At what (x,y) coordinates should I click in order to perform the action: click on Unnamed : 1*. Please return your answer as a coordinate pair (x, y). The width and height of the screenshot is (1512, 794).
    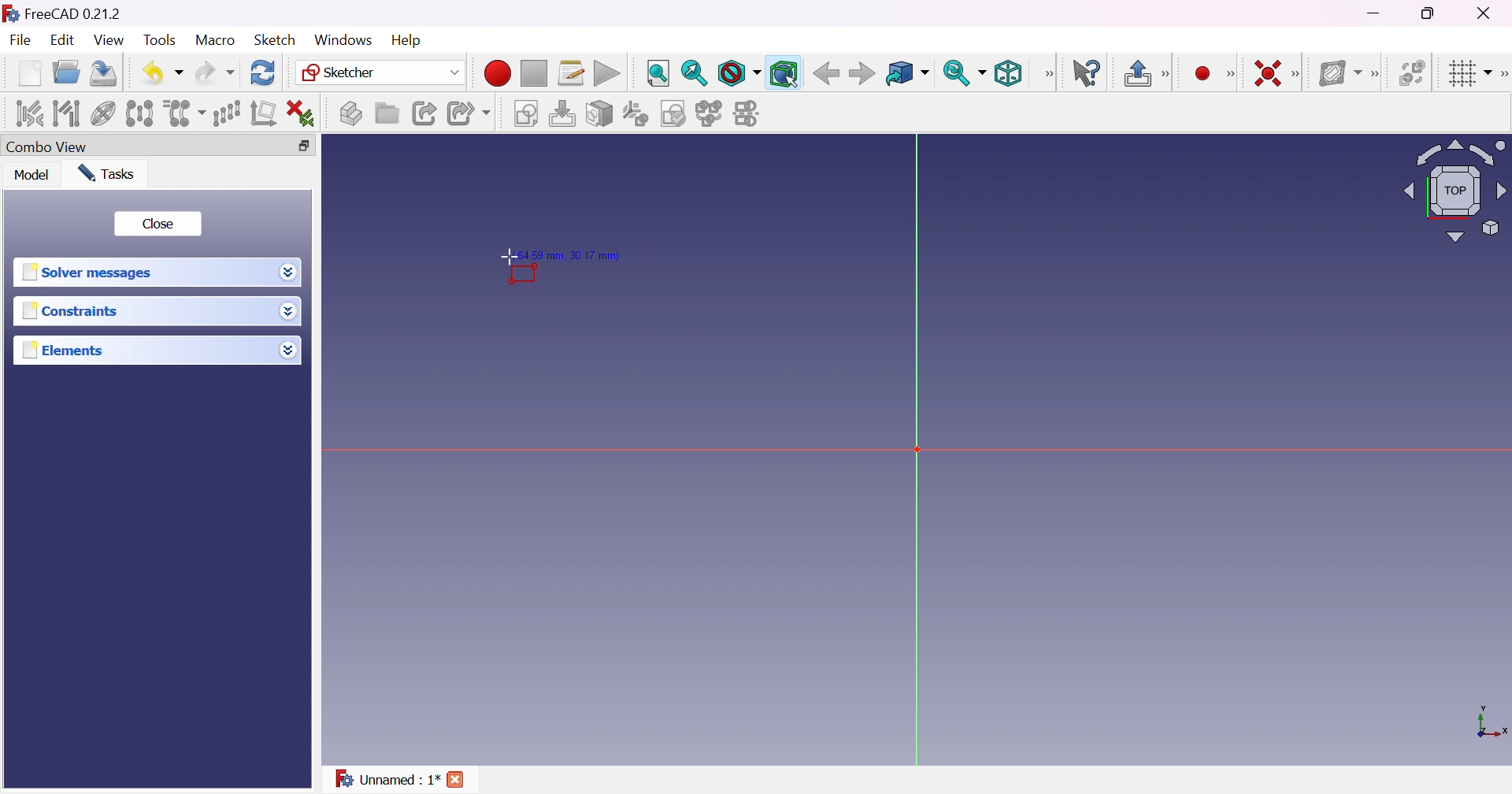
    Looking at the image, I should click on (386, 779).